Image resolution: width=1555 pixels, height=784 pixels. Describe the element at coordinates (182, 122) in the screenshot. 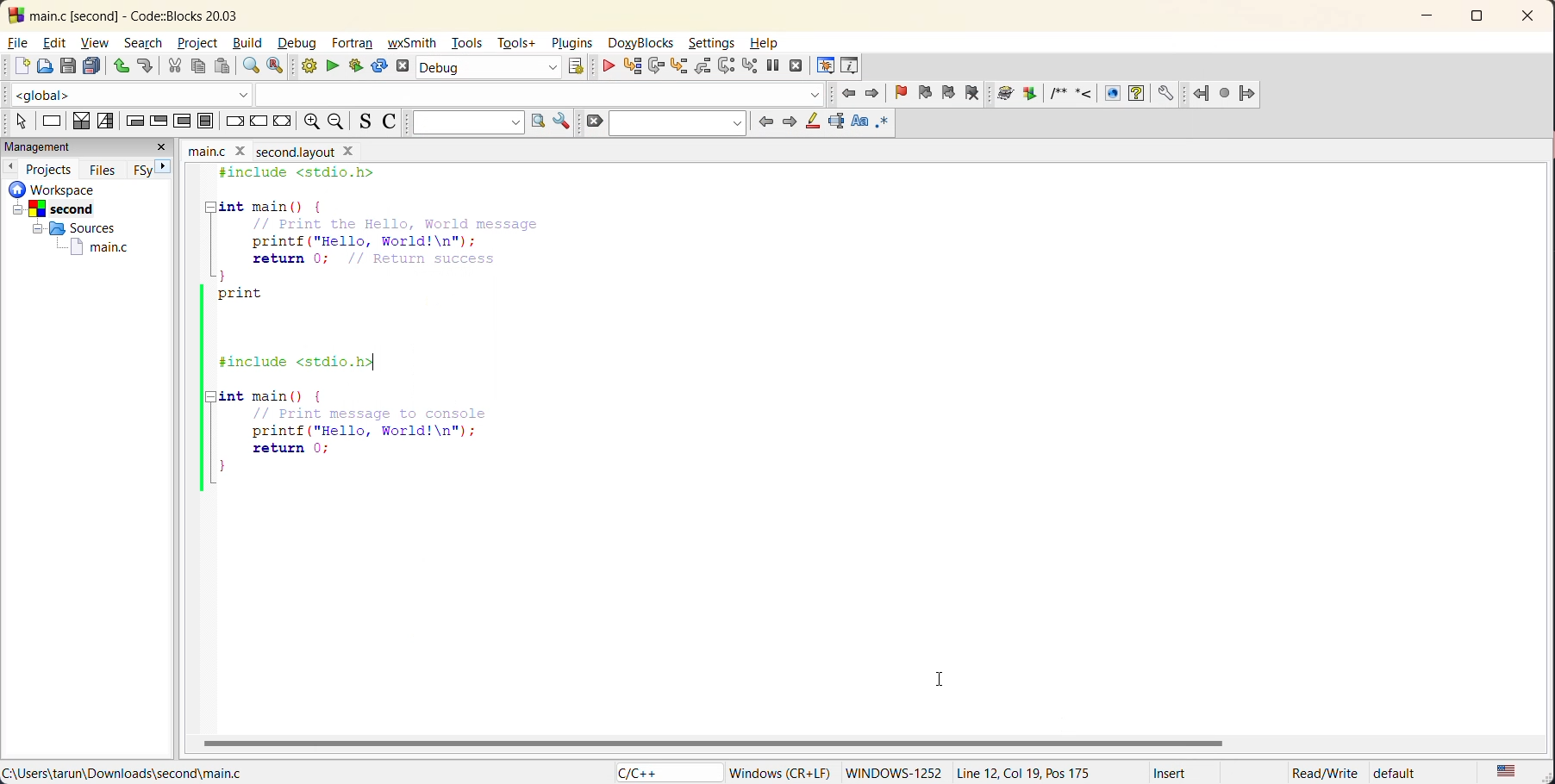

I see `counting loop` at that location.